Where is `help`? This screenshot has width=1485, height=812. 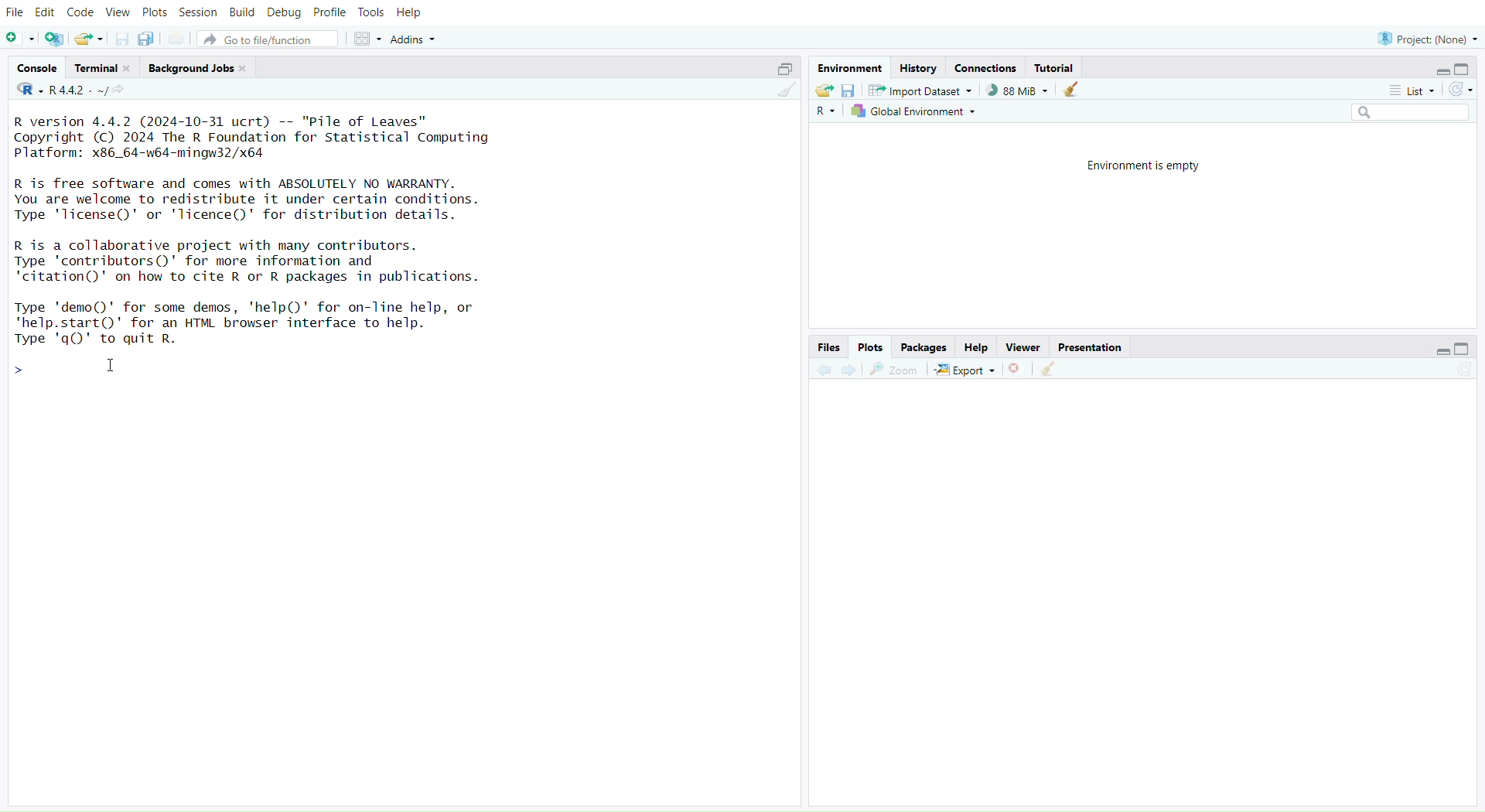
help is located at coordinates (411, 12).